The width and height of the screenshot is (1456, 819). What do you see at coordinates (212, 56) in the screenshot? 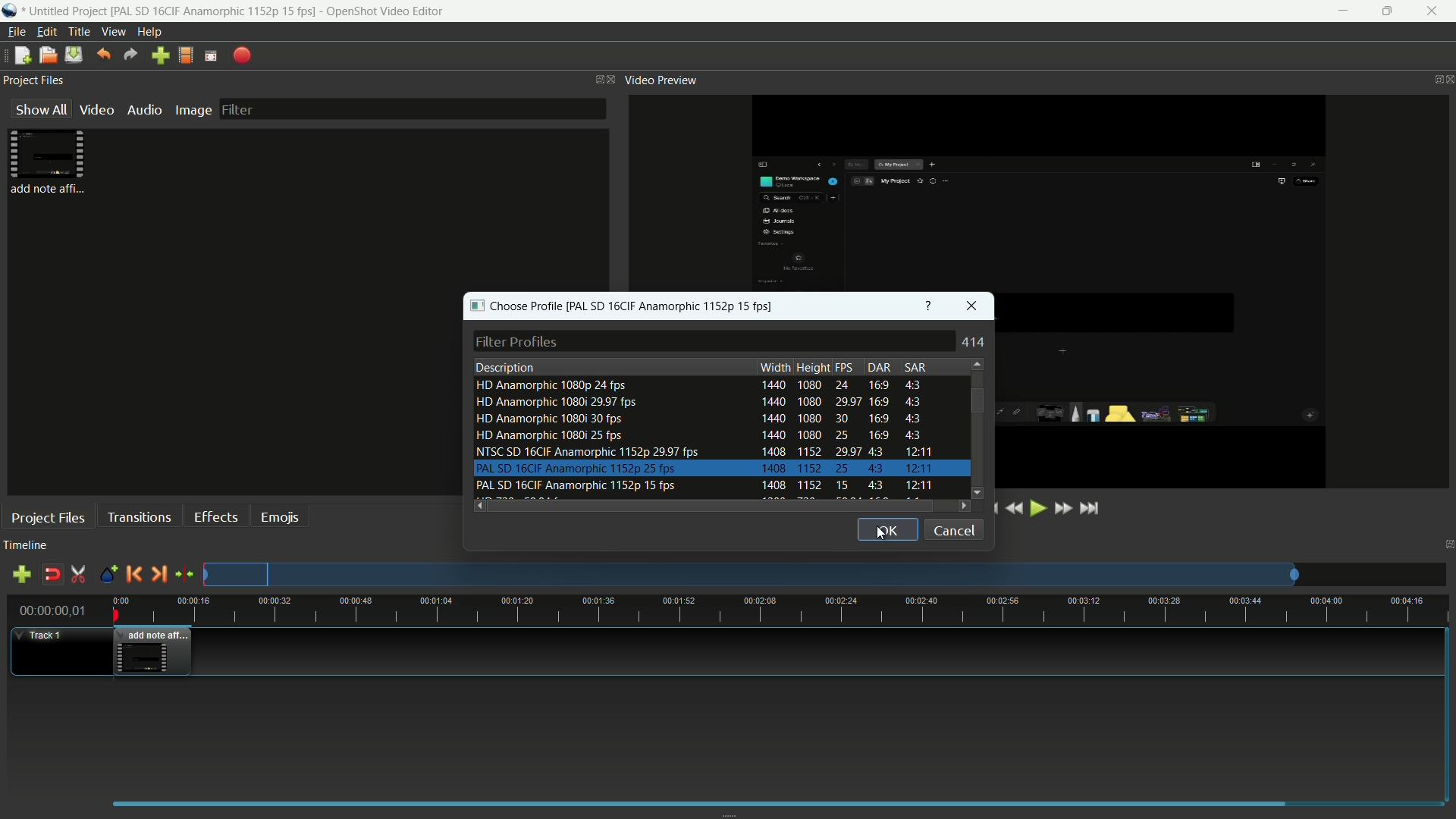
I see `full screen` at bounding box center [212, 56].